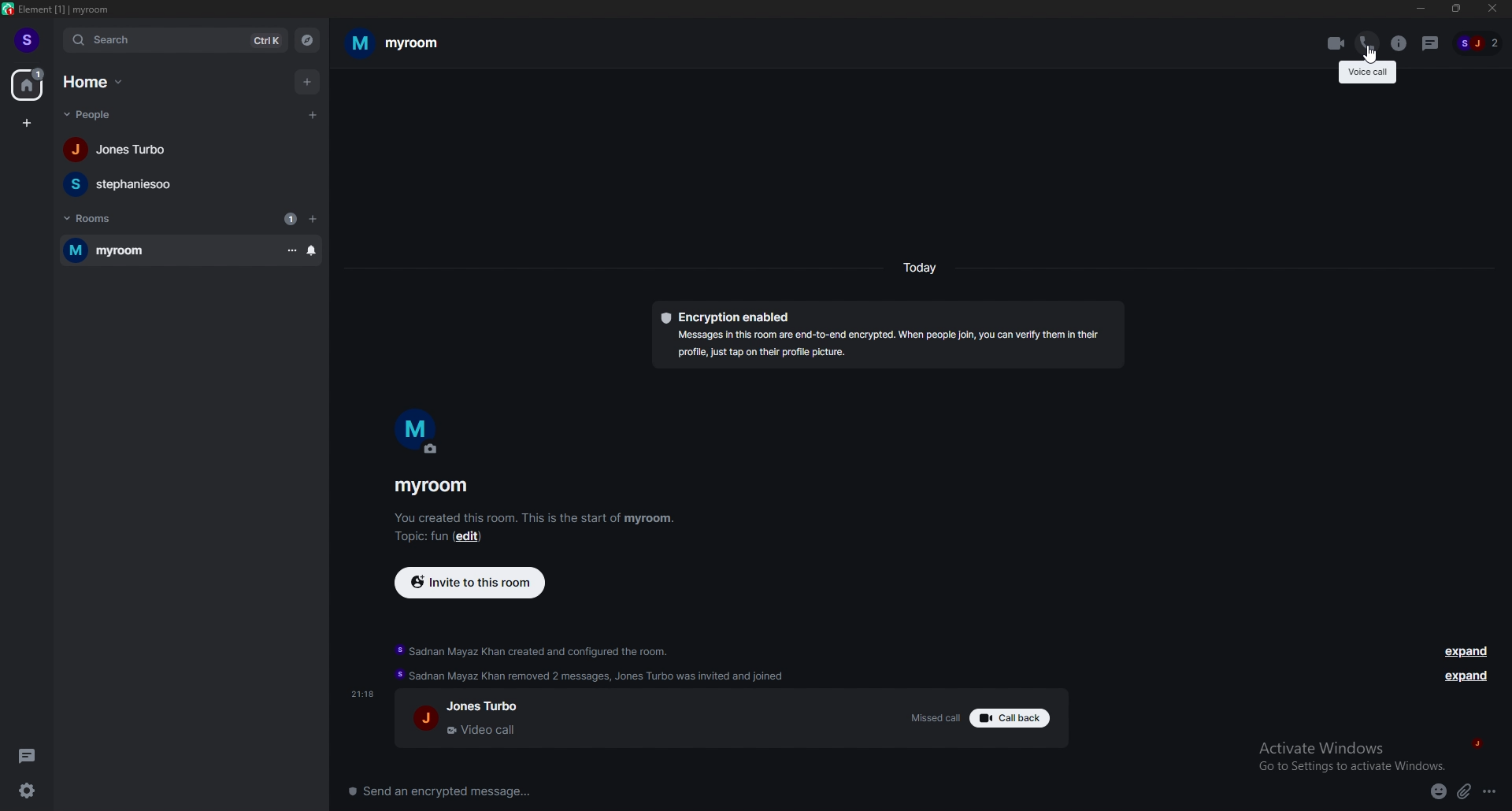  What do you see at coordinates (1335, 43) in the screenshot?
I see `video call` at bounding box center [1335, 43].